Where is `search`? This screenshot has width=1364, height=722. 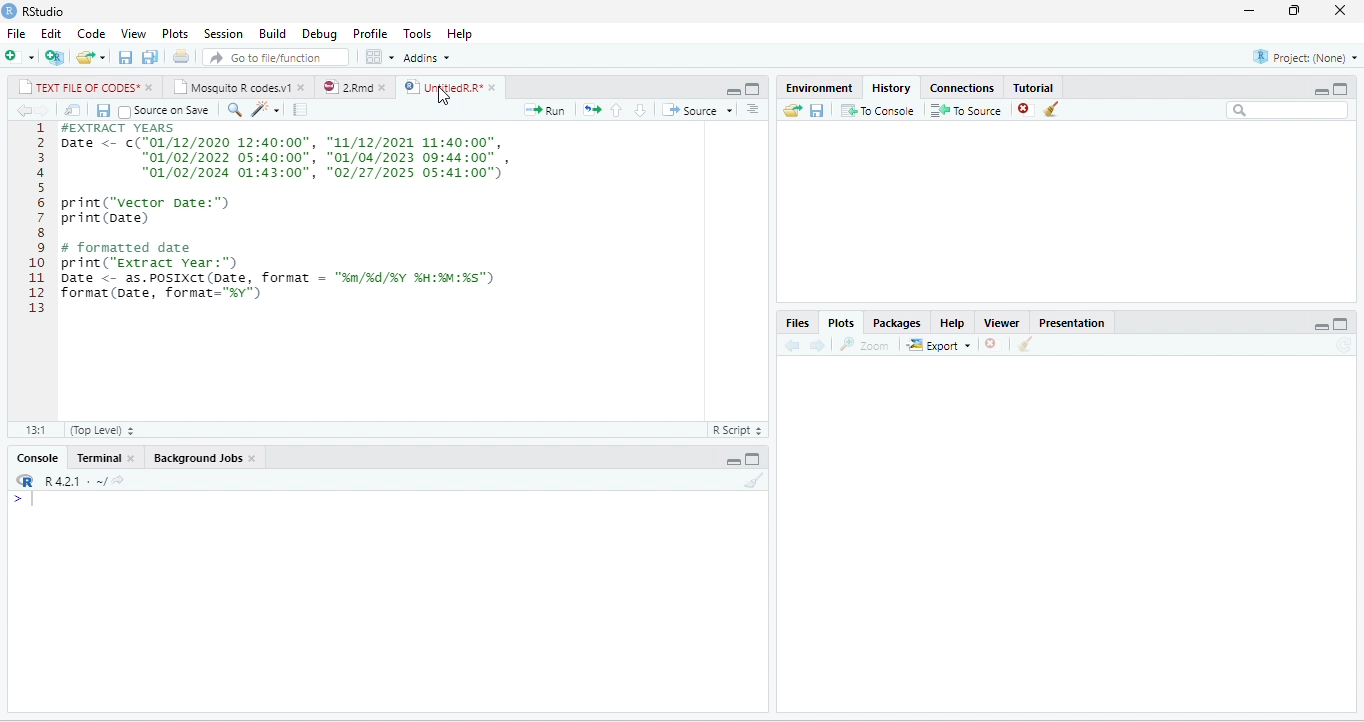
search is located at coordinates (234, 110).